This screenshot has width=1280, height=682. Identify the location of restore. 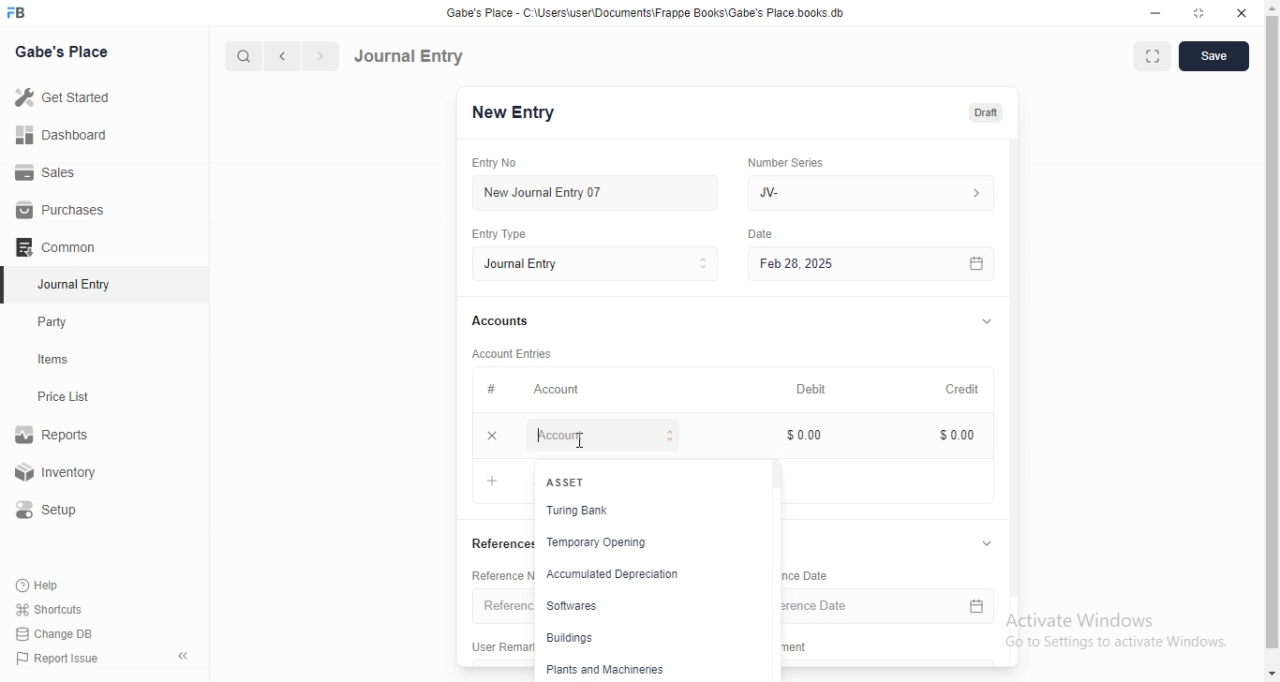
(1198, 13).